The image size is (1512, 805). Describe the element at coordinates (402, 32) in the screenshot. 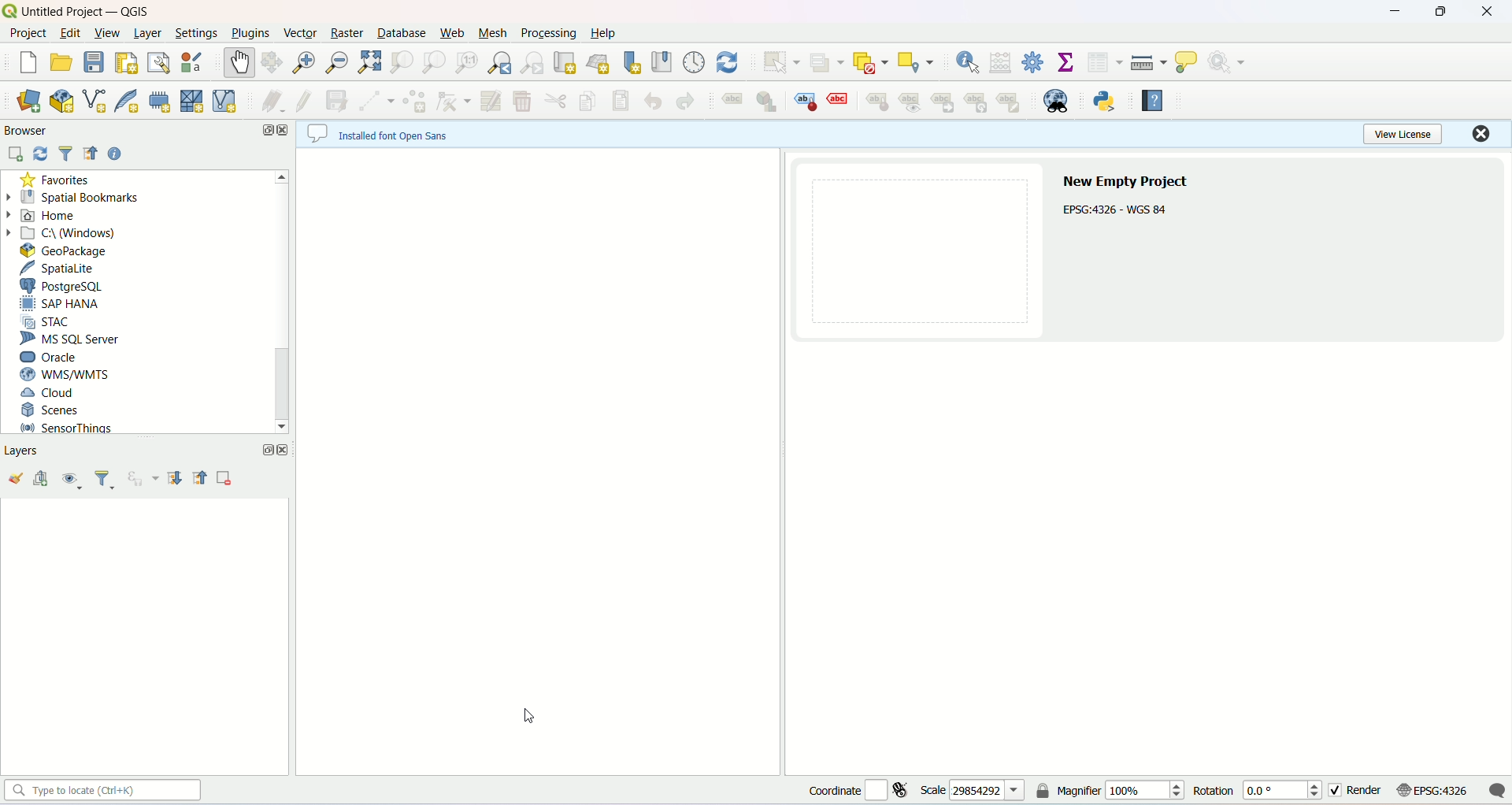

I see `database` at that location.